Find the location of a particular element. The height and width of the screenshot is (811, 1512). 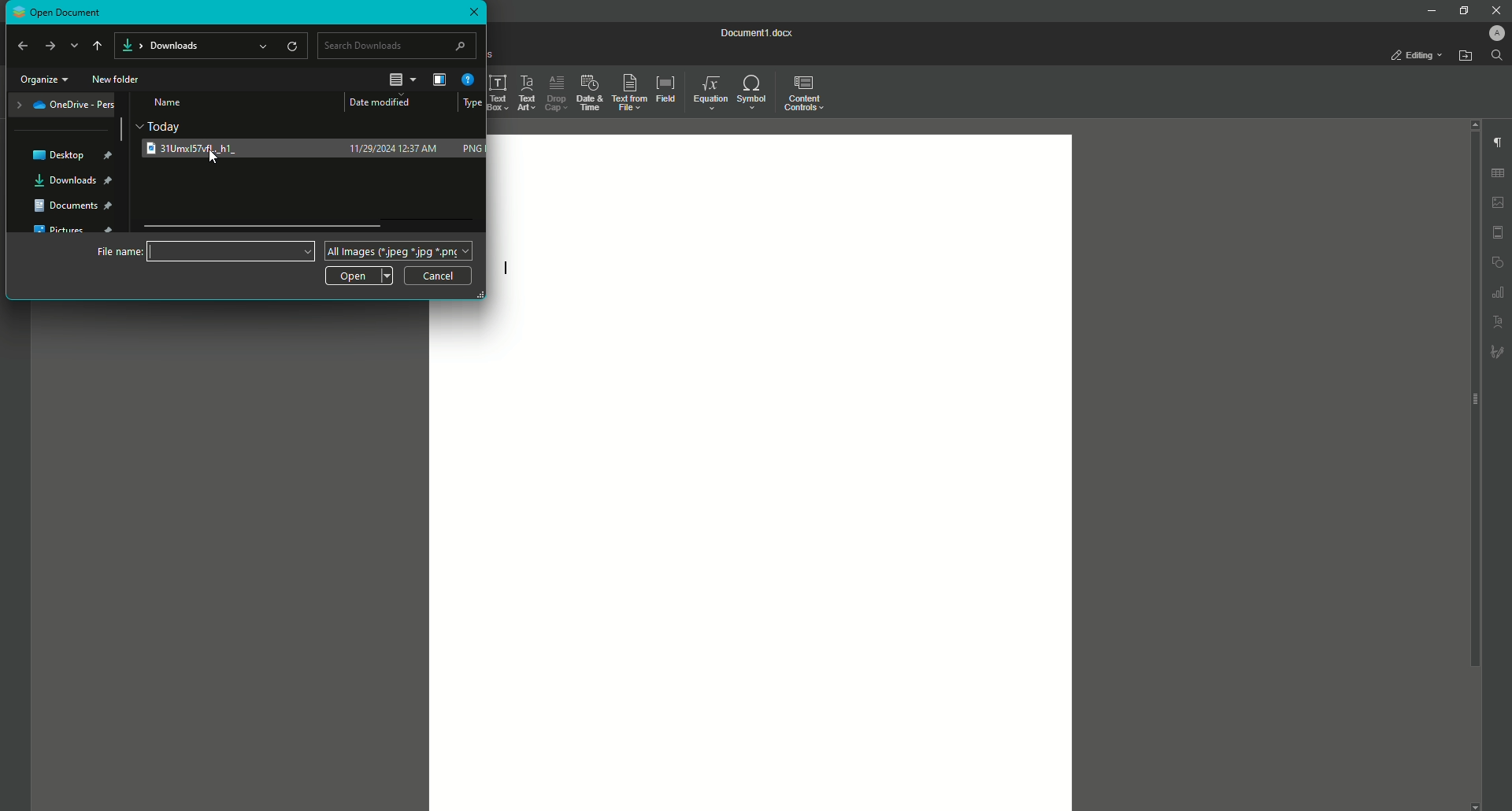

Editing is located at coordinates (1414, 54).